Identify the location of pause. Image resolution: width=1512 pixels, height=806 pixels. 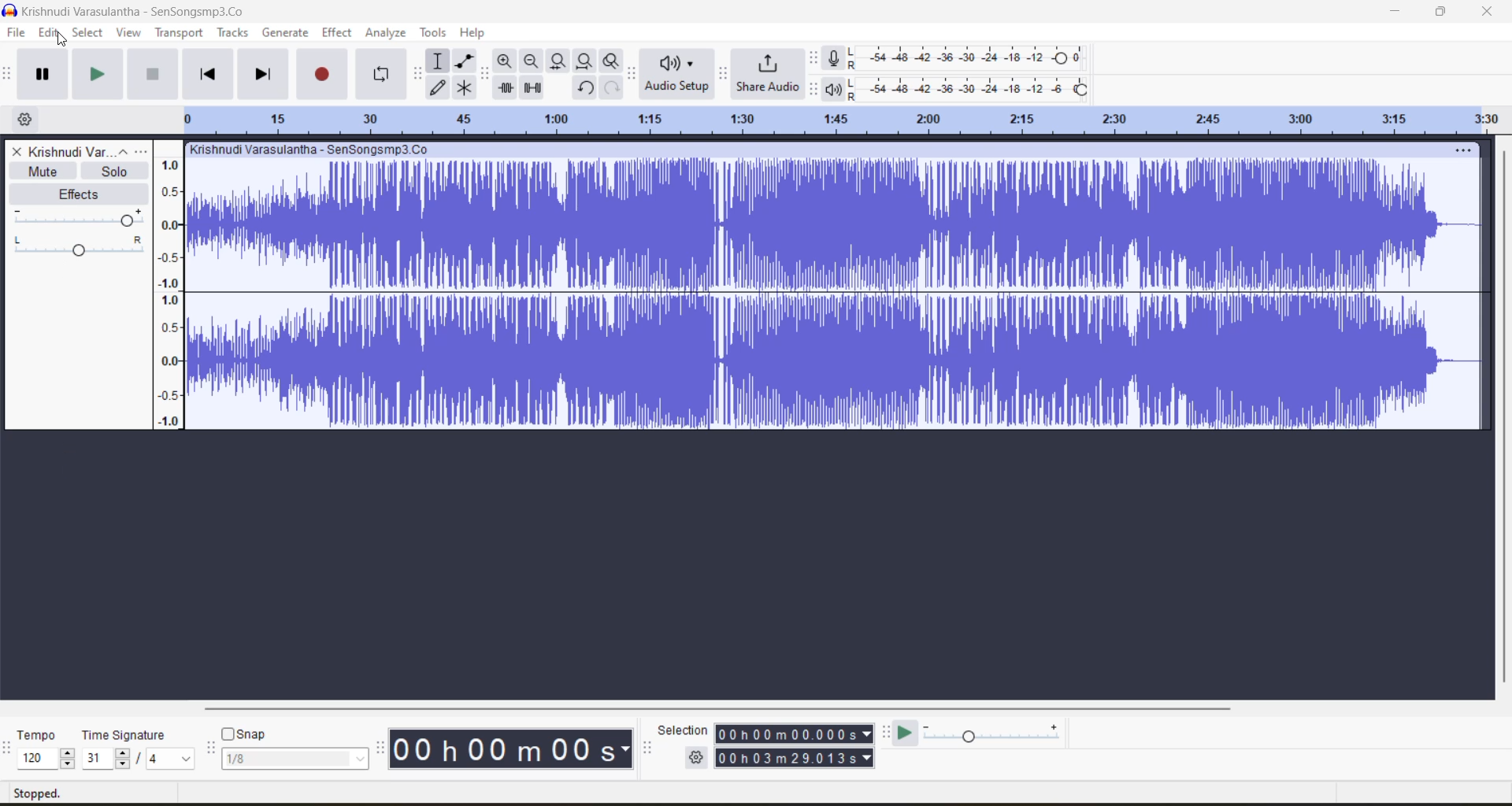
(43, 74).